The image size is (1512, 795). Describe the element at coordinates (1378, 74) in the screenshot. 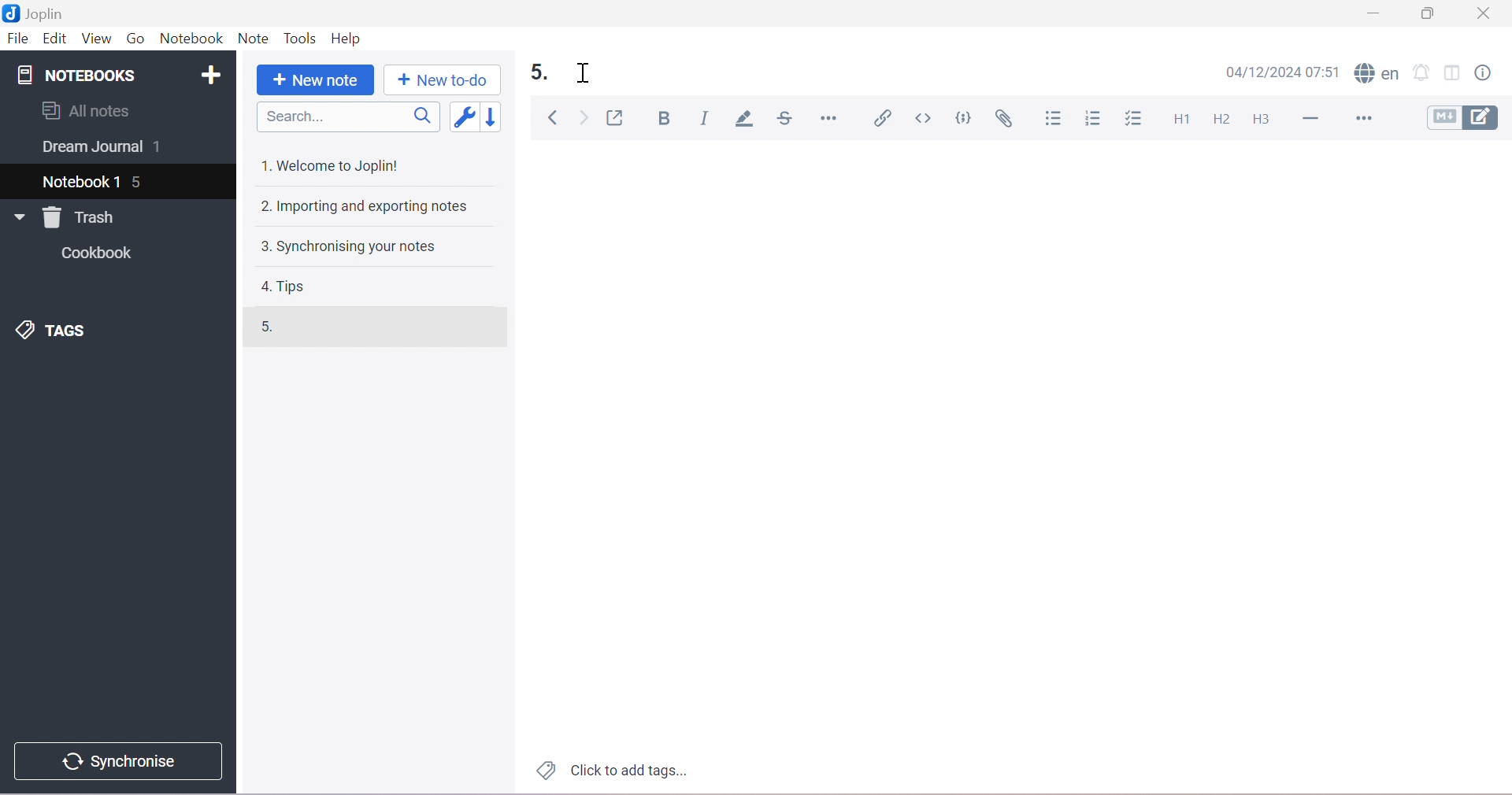

I see `Spell checker` at that location.